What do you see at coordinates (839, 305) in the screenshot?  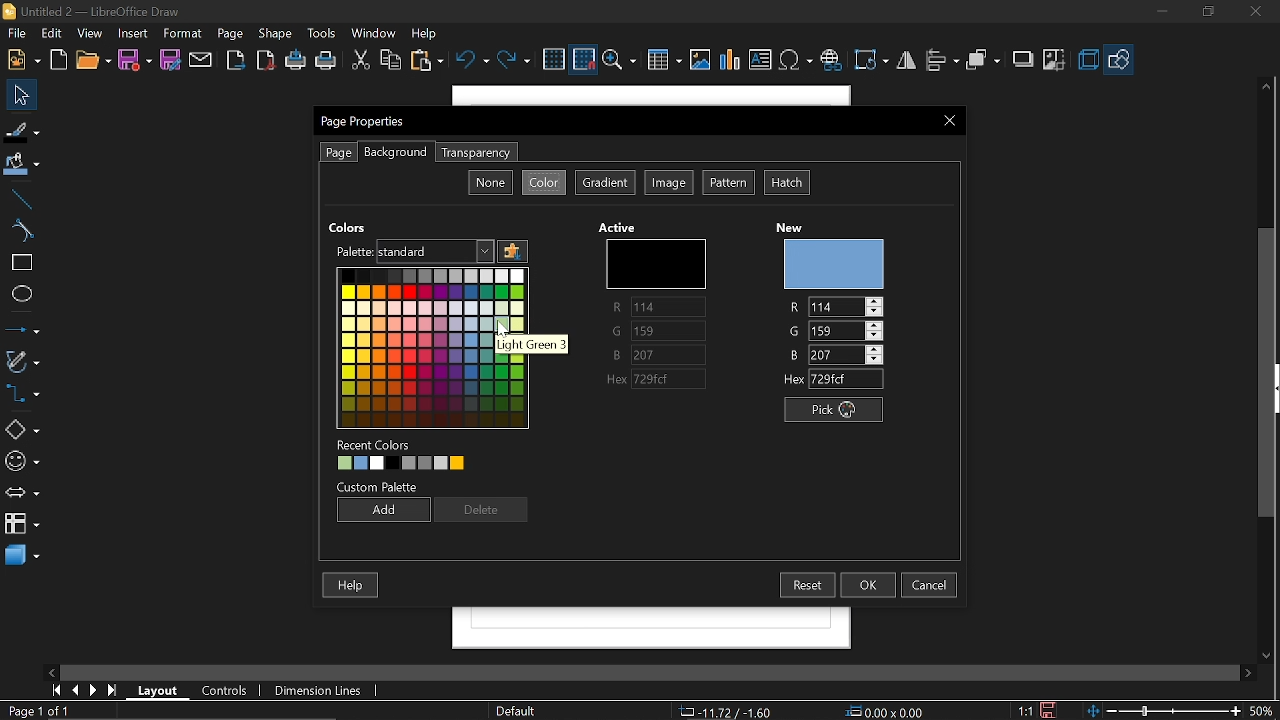 I see `R` at bounding box center [839, 305].